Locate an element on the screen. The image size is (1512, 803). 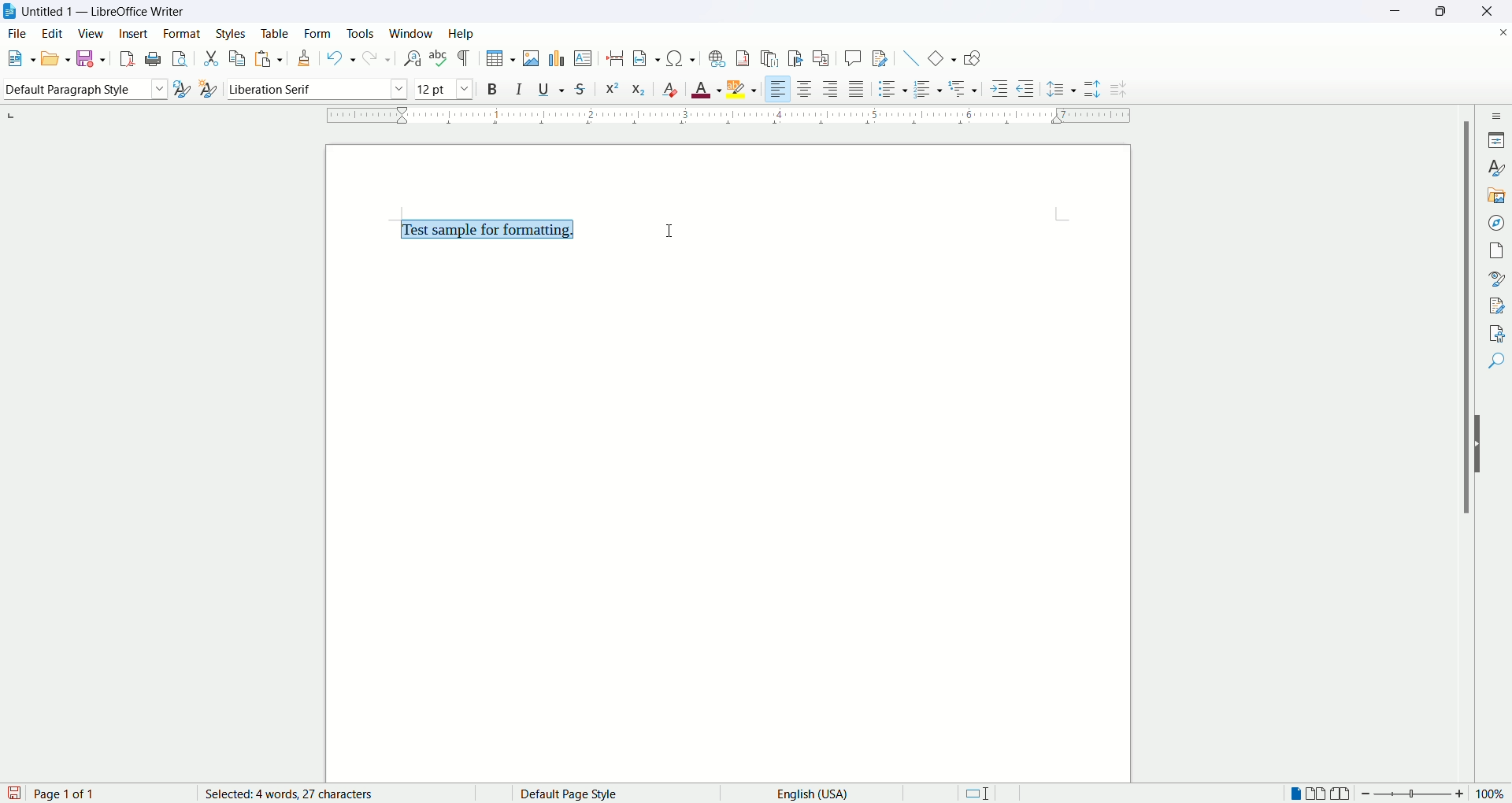
zoom factor is located at coordinates (1432, 794).